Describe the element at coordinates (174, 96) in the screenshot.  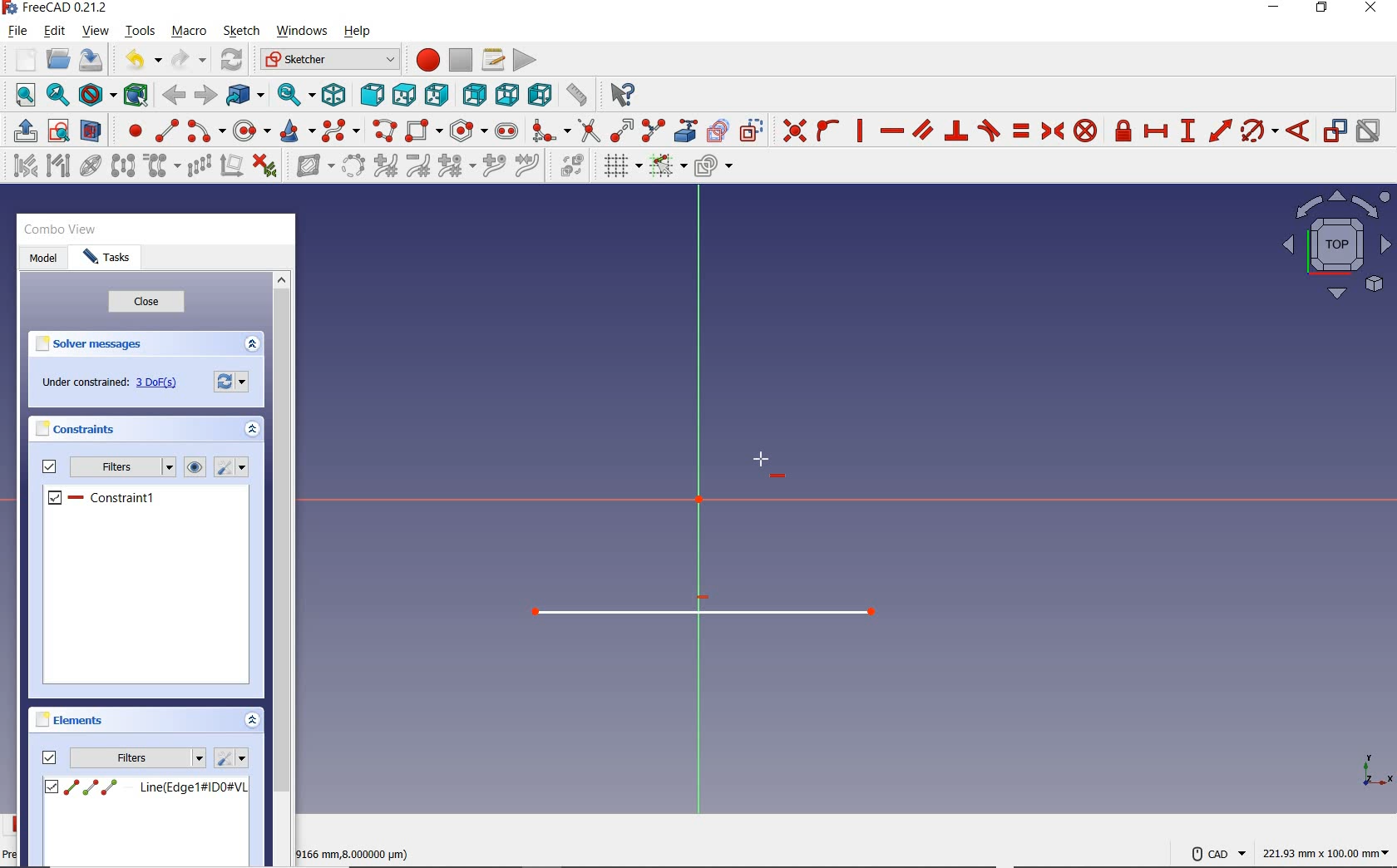
I see `BACK` at that location.